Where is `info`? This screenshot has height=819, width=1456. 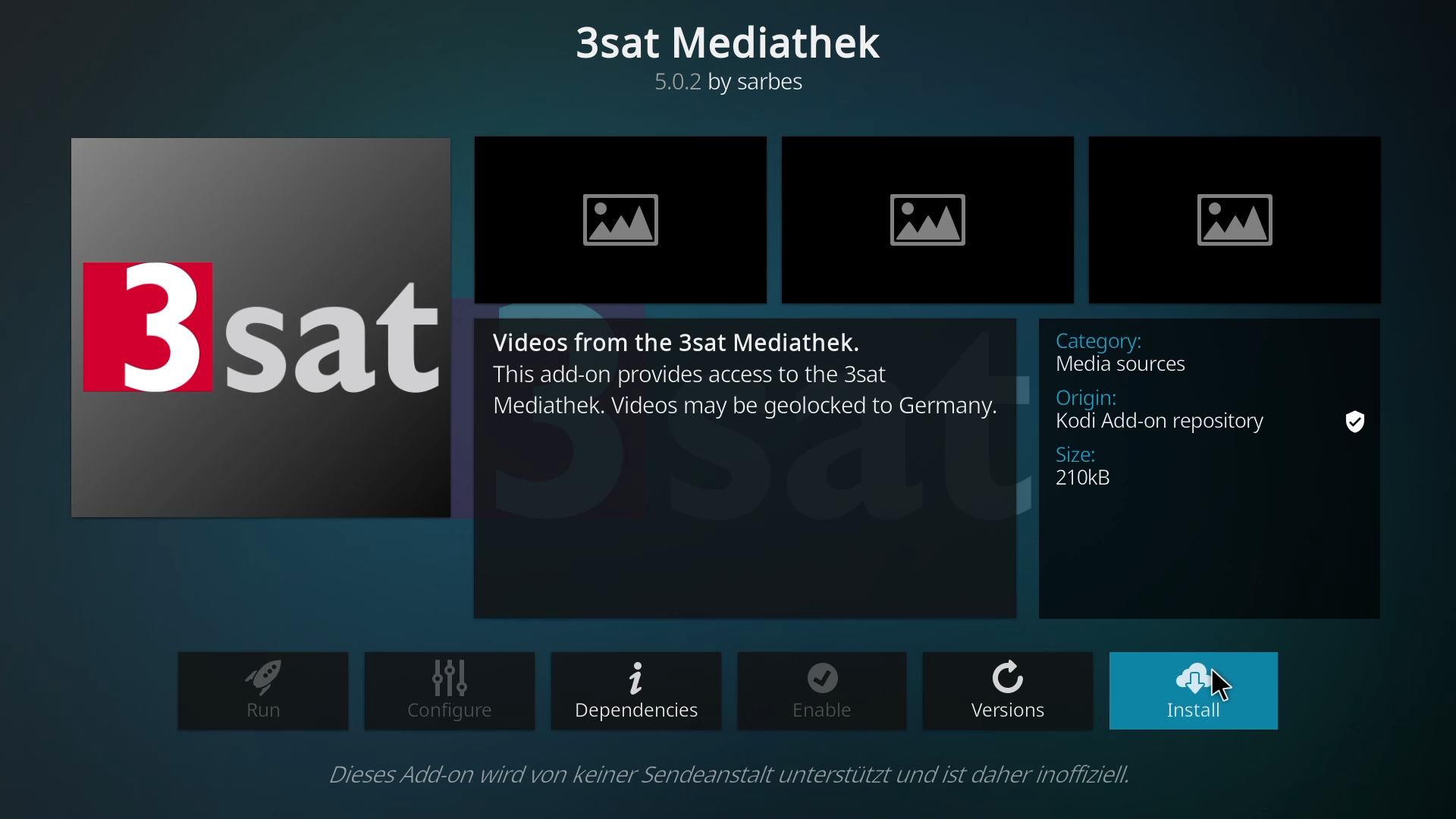
info is located at coordinates (1213, 441).